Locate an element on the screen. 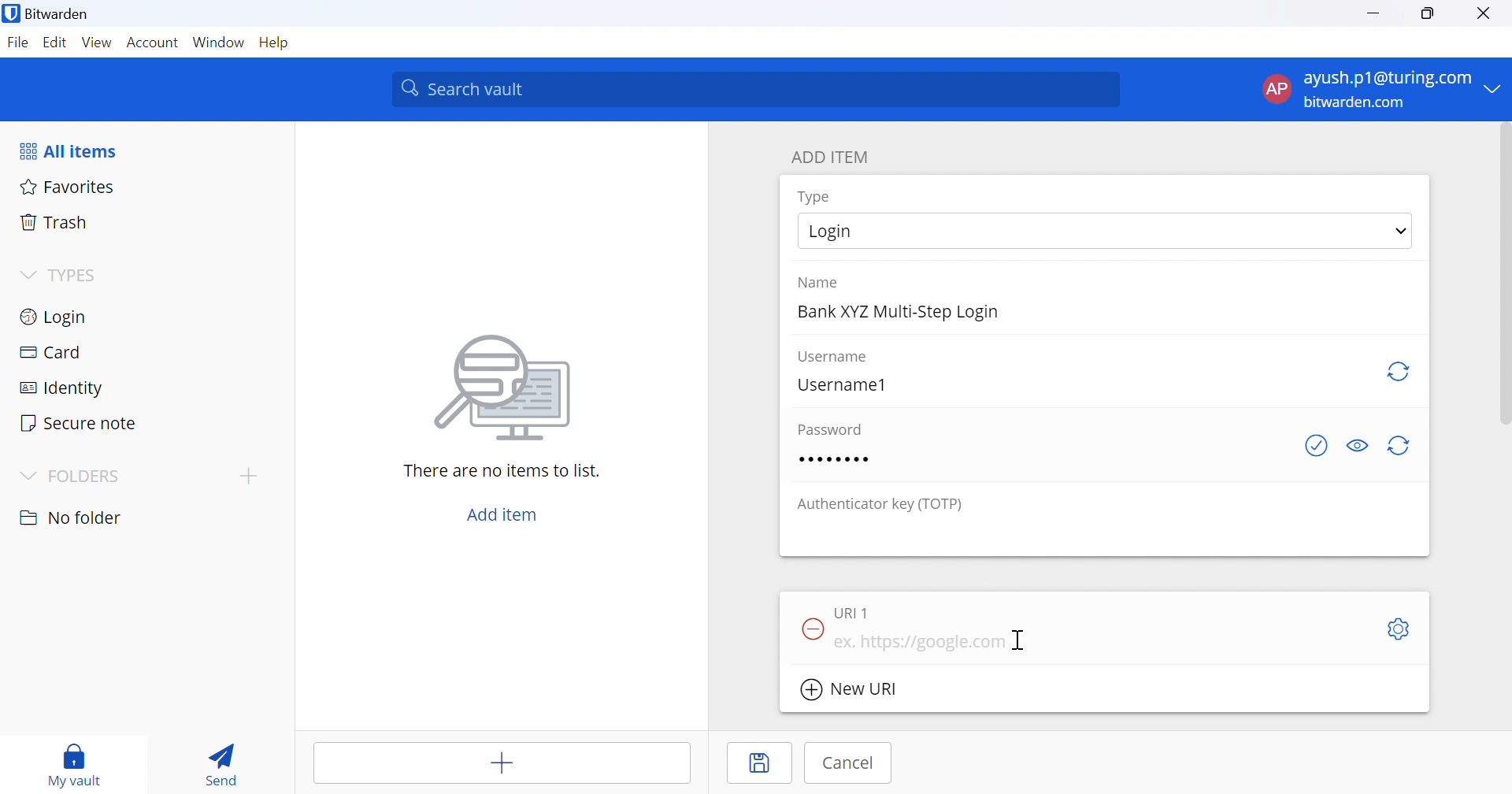  FOLDERS is located at coordinates (92, 477).